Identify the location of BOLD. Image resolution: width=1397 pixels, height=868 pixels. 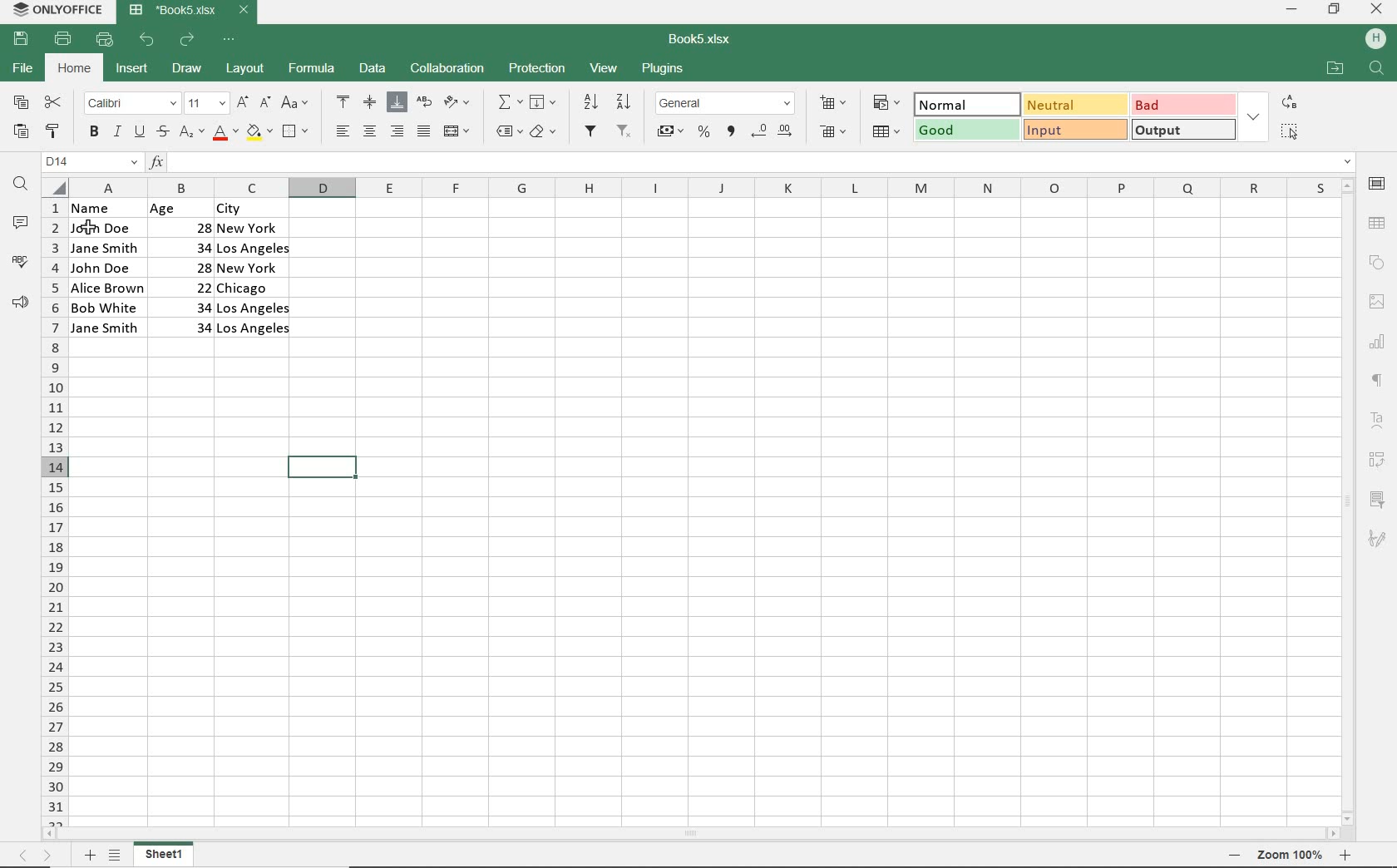
(93, 133).